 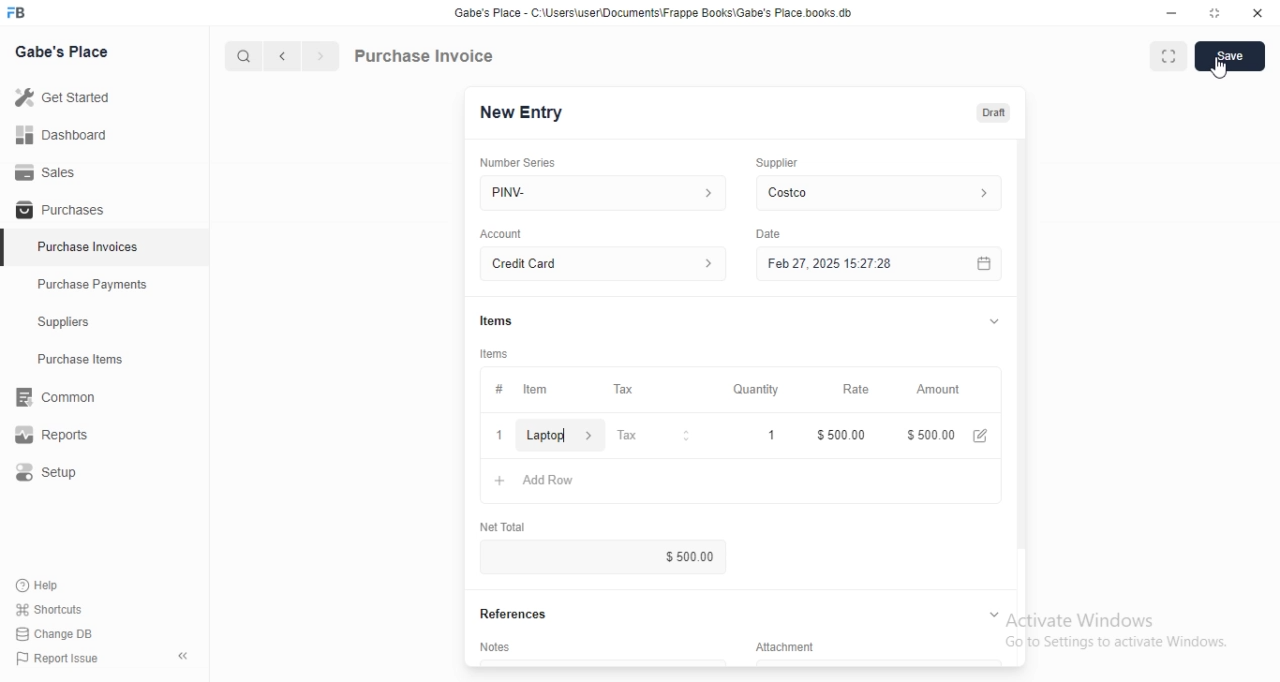 What do you see at coordinates (494, 646) in the screenshot?
I see `Notes` at bounding box center [494, 646].